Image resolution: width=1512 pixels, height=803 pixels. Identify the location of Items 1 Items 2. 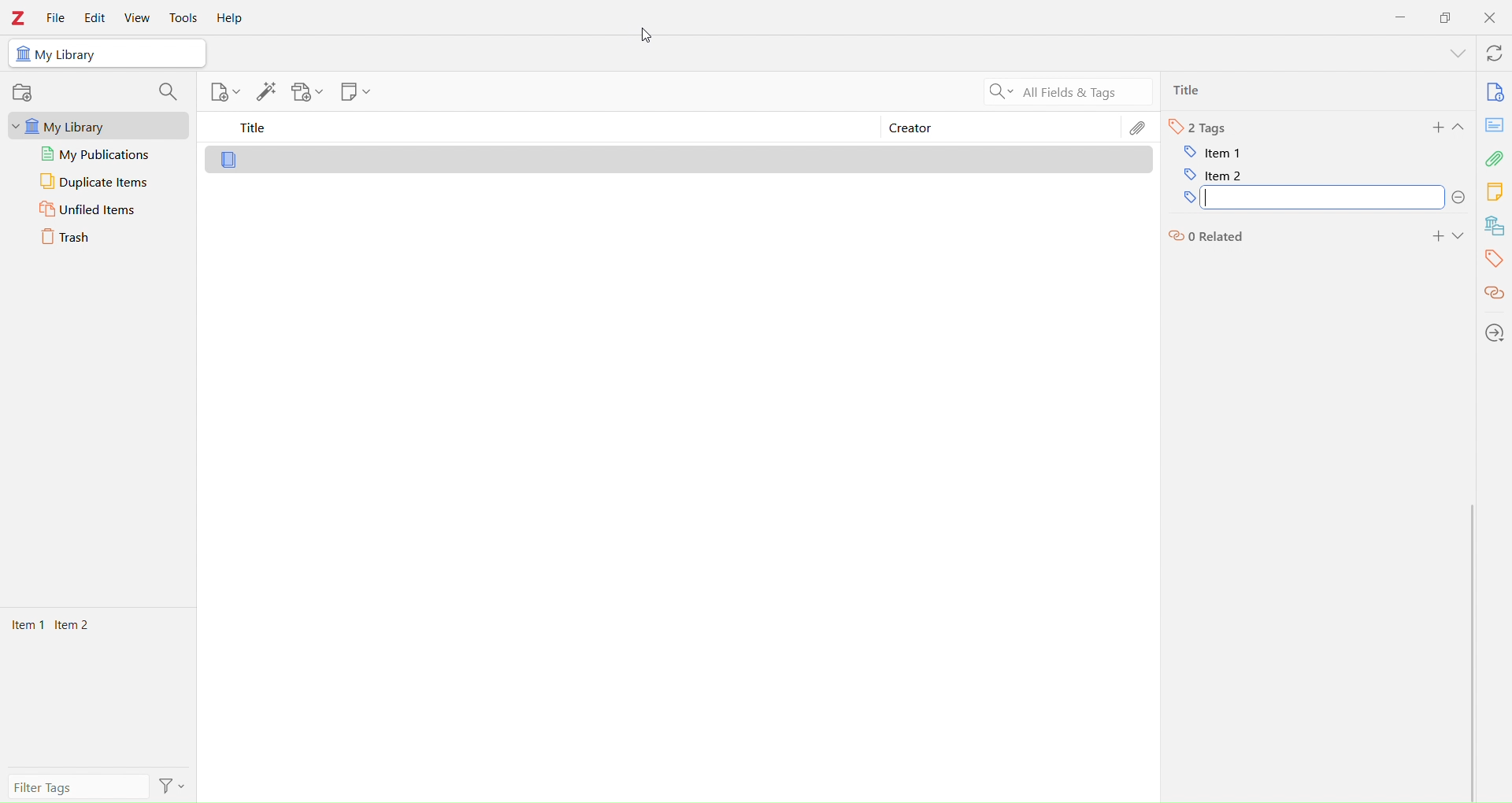
(61, 624).